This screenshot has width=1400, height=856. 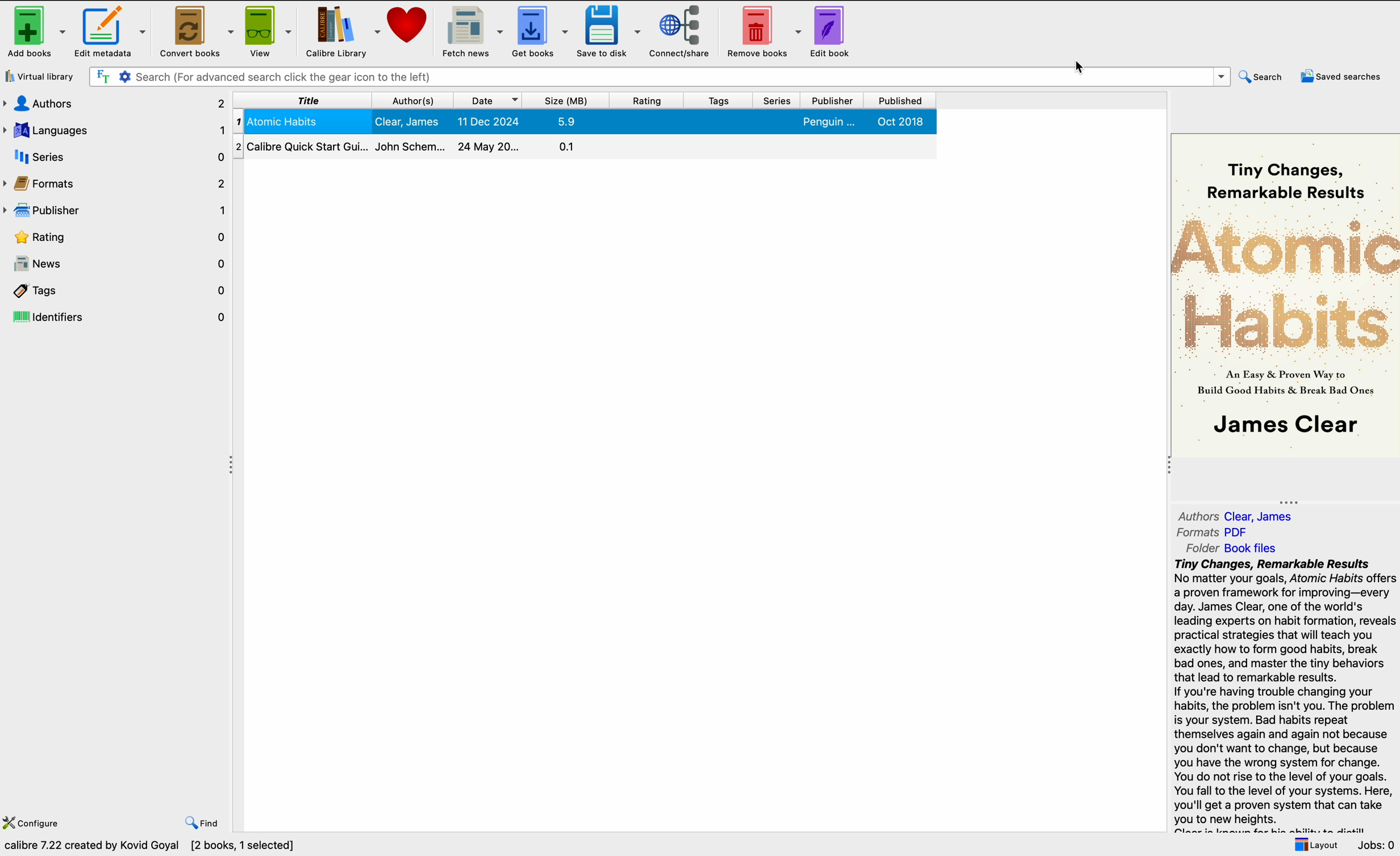 What do you see at coordinates (1212, 533) in the screenshot?
I see `formats PDF` at bounding box center [1212, 533].